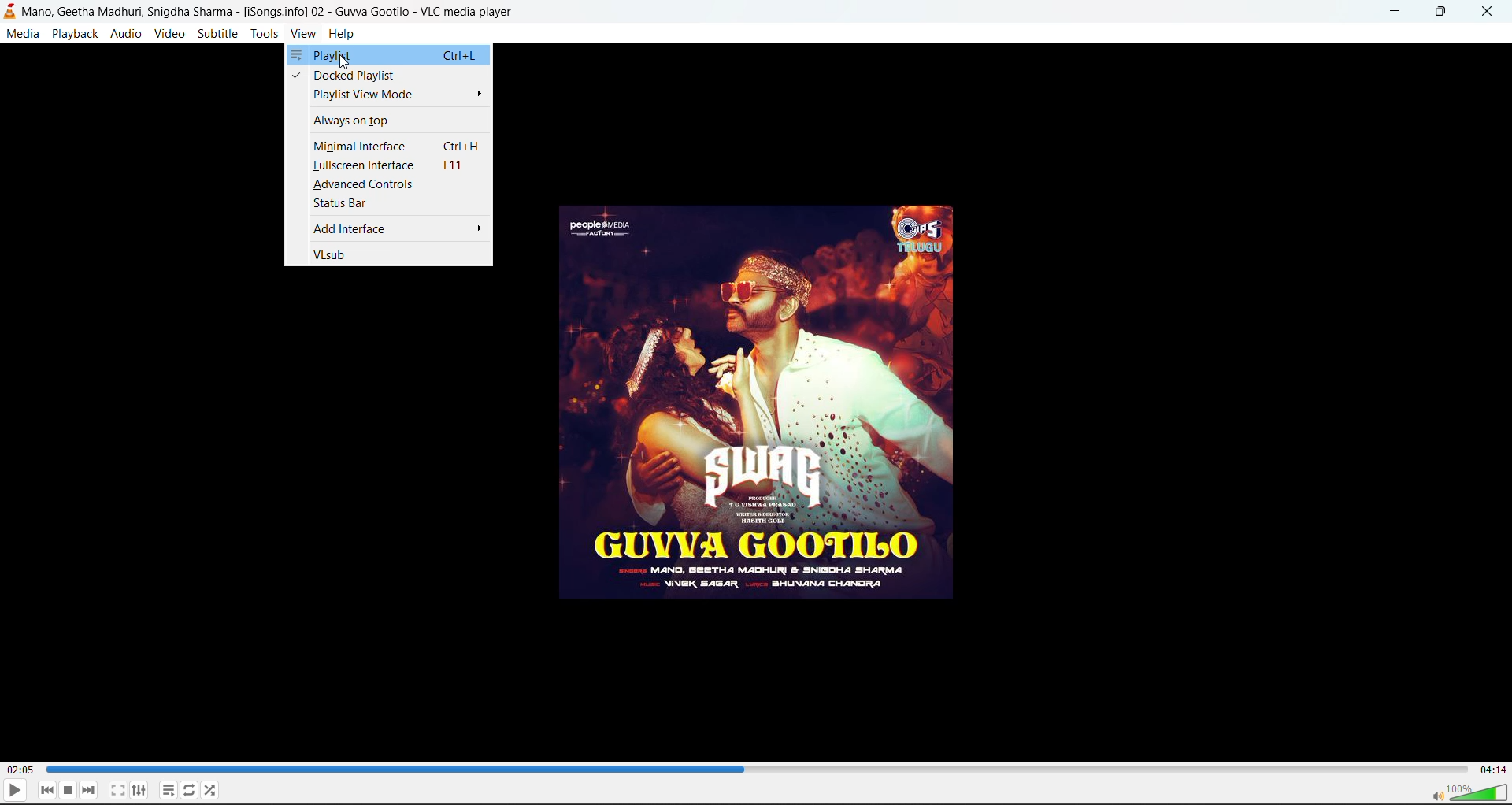 This screenshot has height=805, width=1512. I want to click on run time, so click(19, 770).